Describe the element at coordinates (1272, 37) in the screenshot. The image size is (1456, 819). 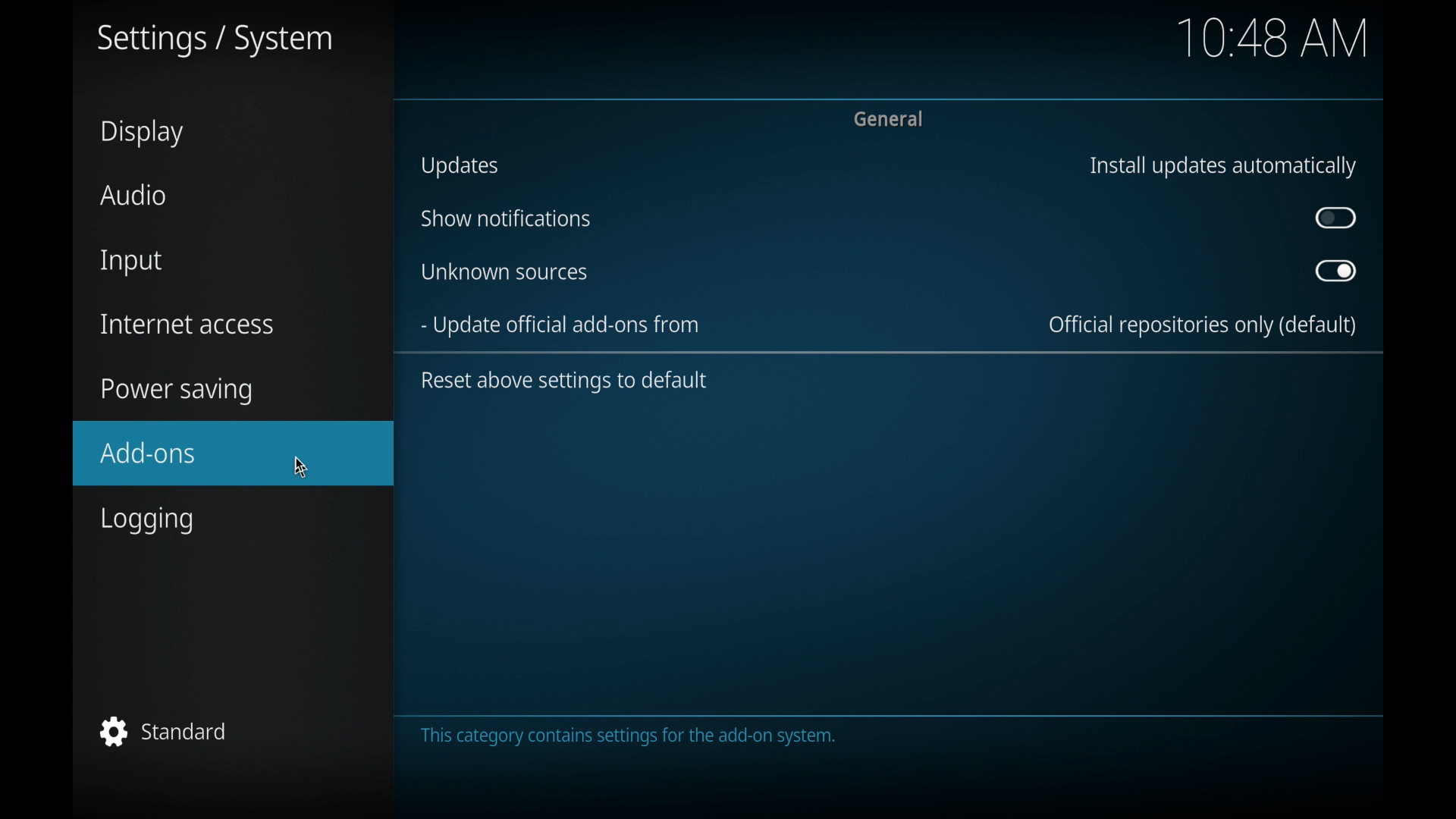
I see `10.48 am` at that location.